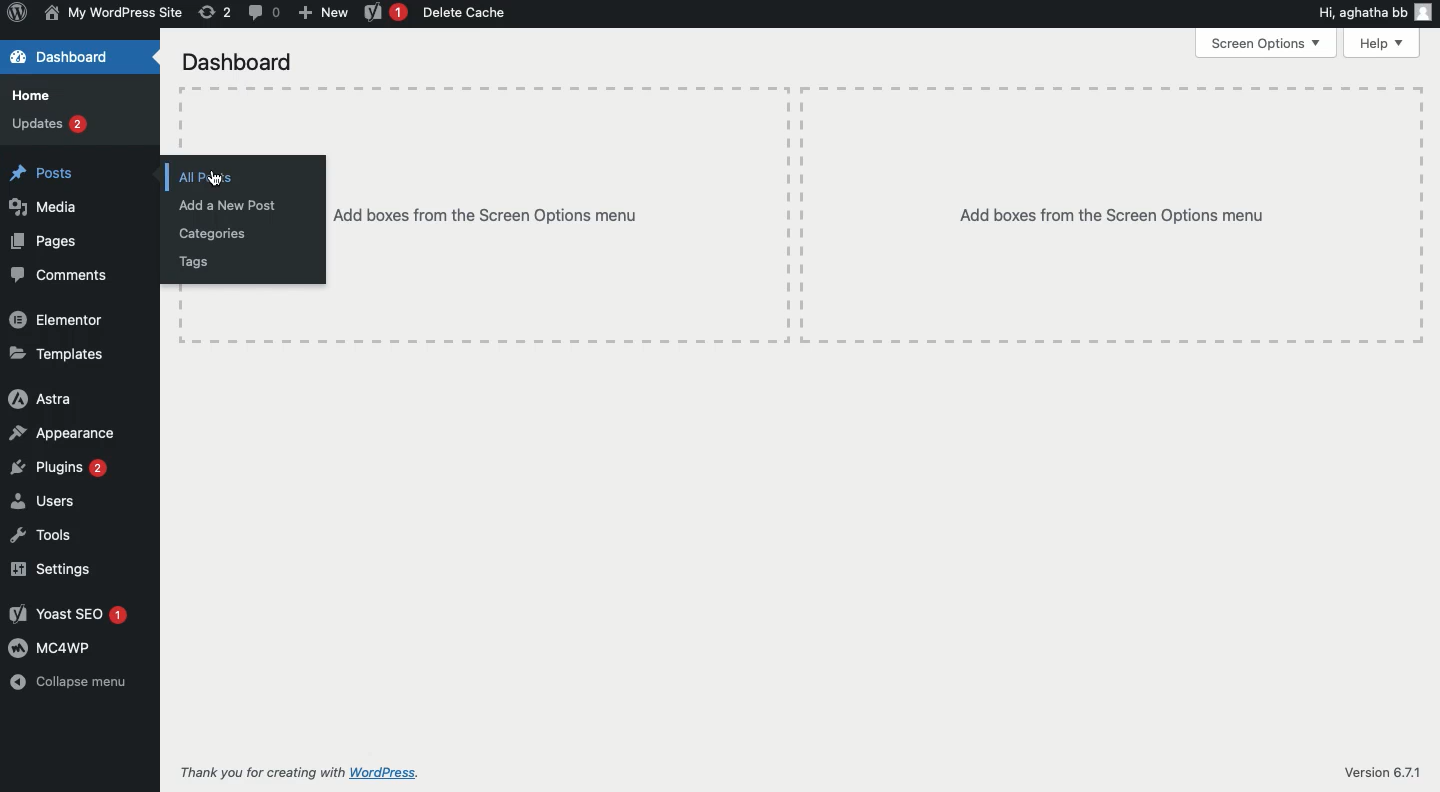 The image size is (1440, 792). Describe the element at coordinates (298, 771) in the screenshot. I see `Thank you for creating with WordPress` at that location.